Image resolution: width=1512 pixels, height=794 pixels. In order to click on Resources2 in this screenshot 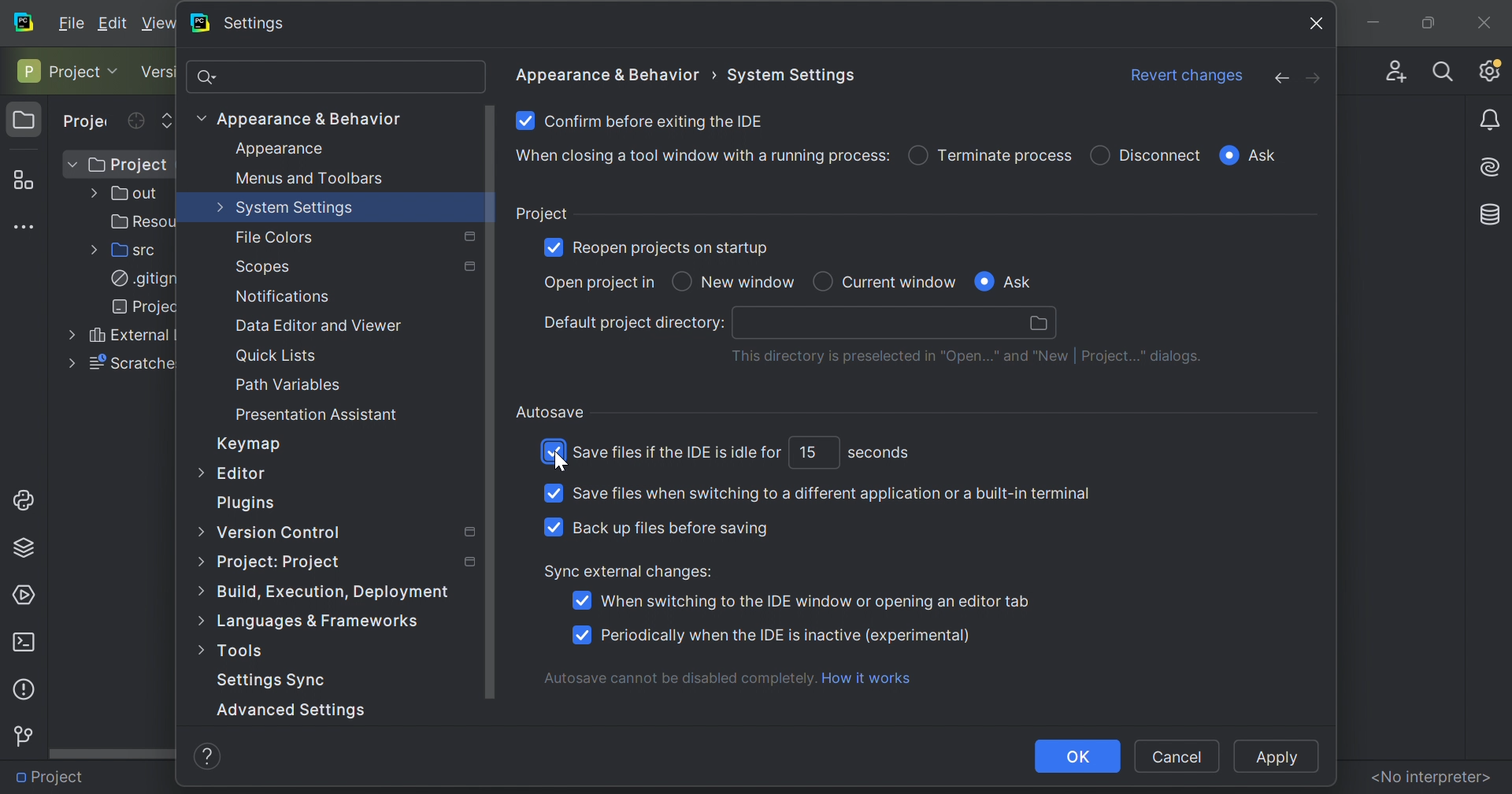, I will do `click(137, 221)`.